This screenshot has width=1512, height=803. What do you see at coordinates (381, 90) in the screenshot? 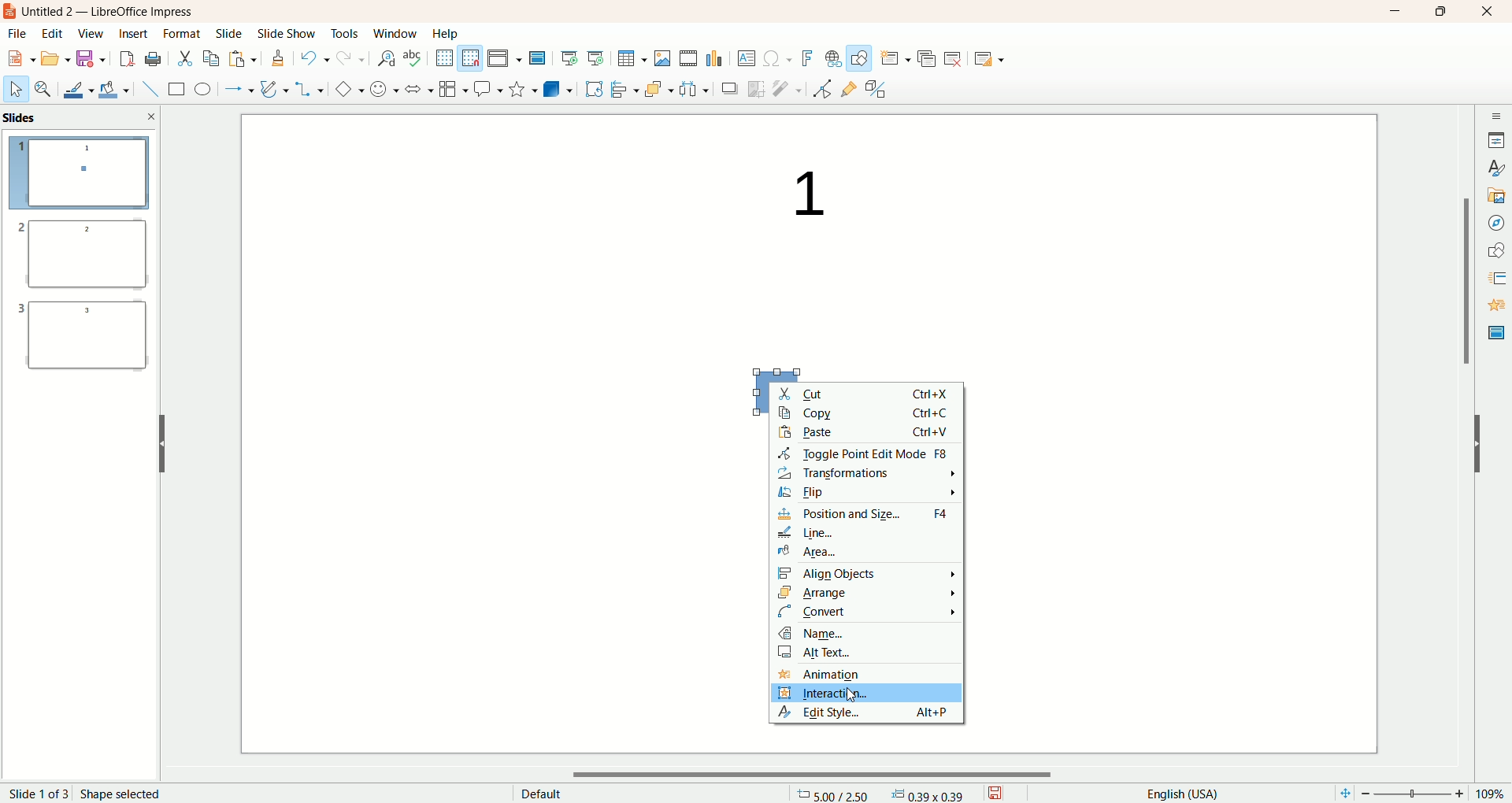
I see `symbol shapes` at bounding box center [381, 90].